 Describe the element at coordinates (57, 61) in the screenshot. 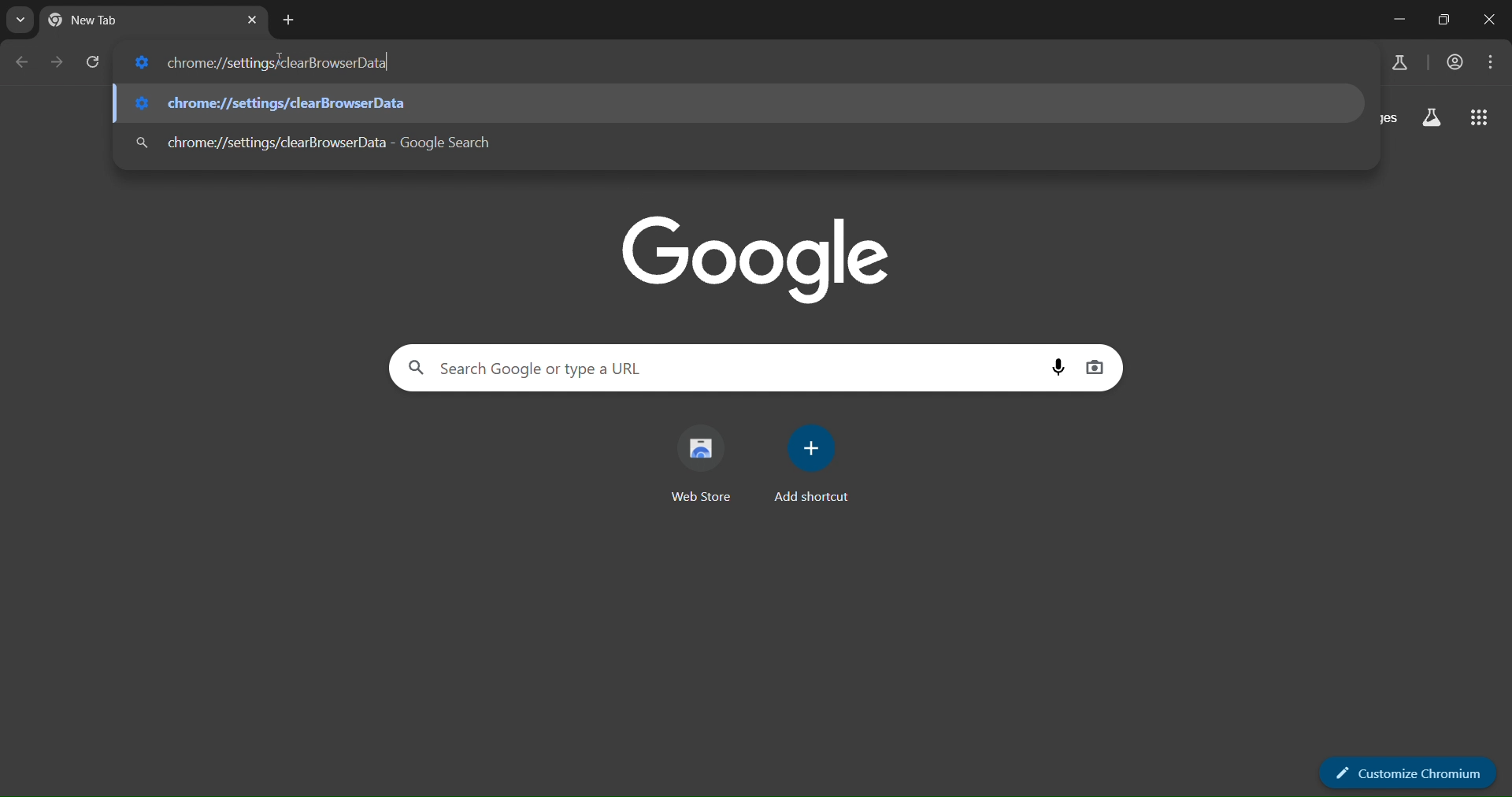

I see `go forward one page` at that location.